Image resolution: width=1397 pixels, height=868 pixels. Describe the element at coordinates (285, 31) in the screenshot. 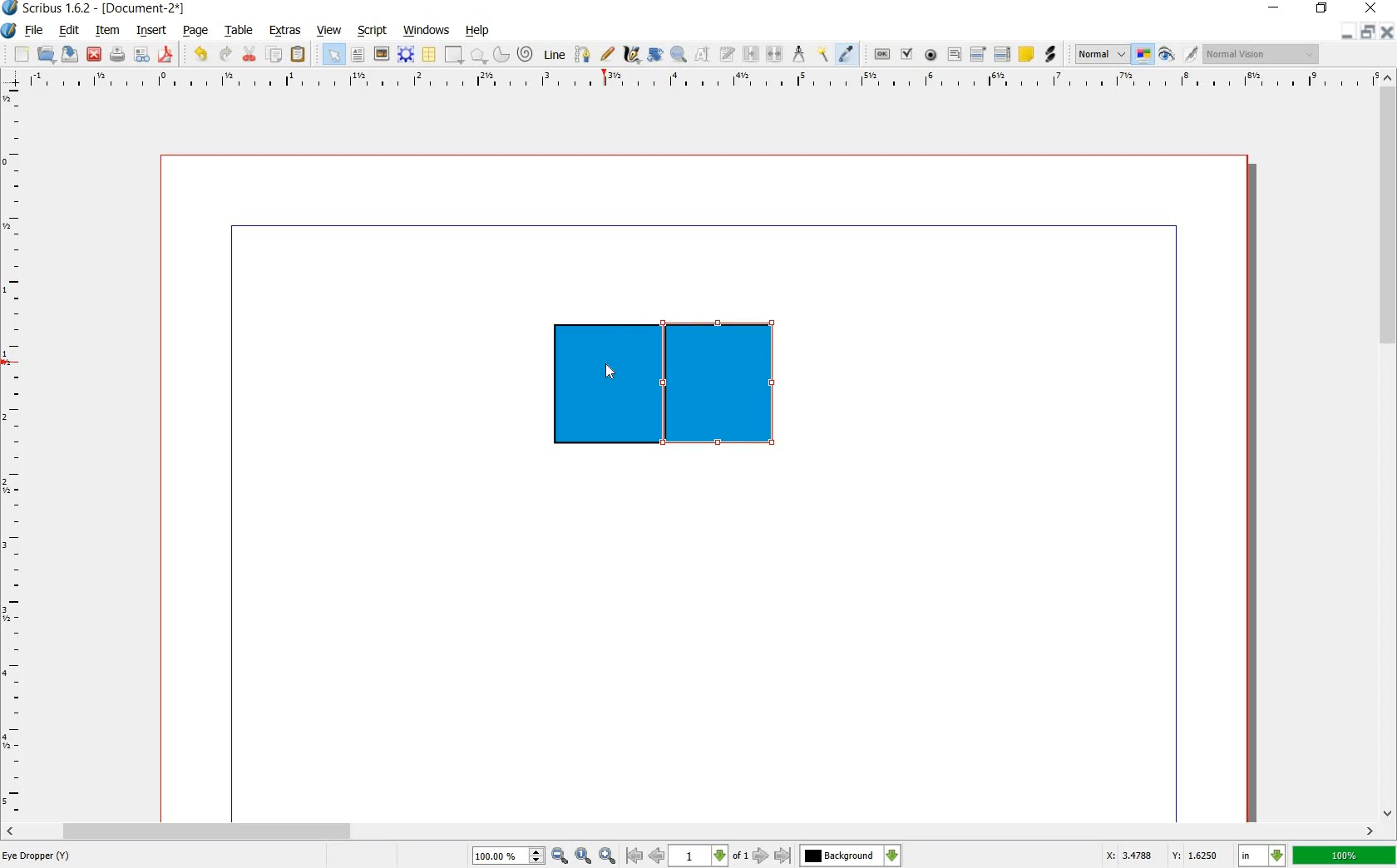

I see `extras` at that location.